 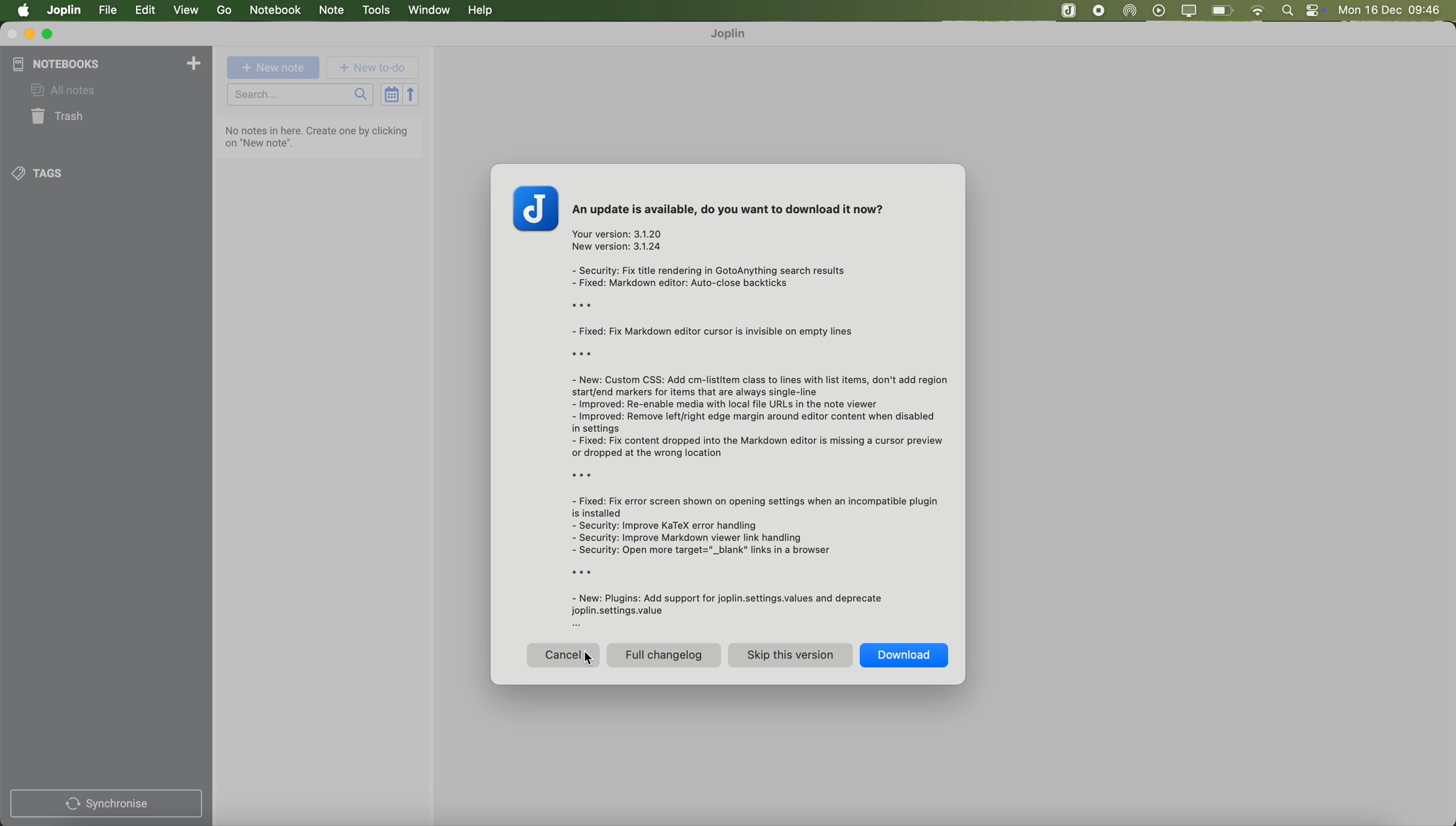 What do you see at coordinates (108, 64) in the screenshot?
I see `notebooks` at bounding box center [108, 64].